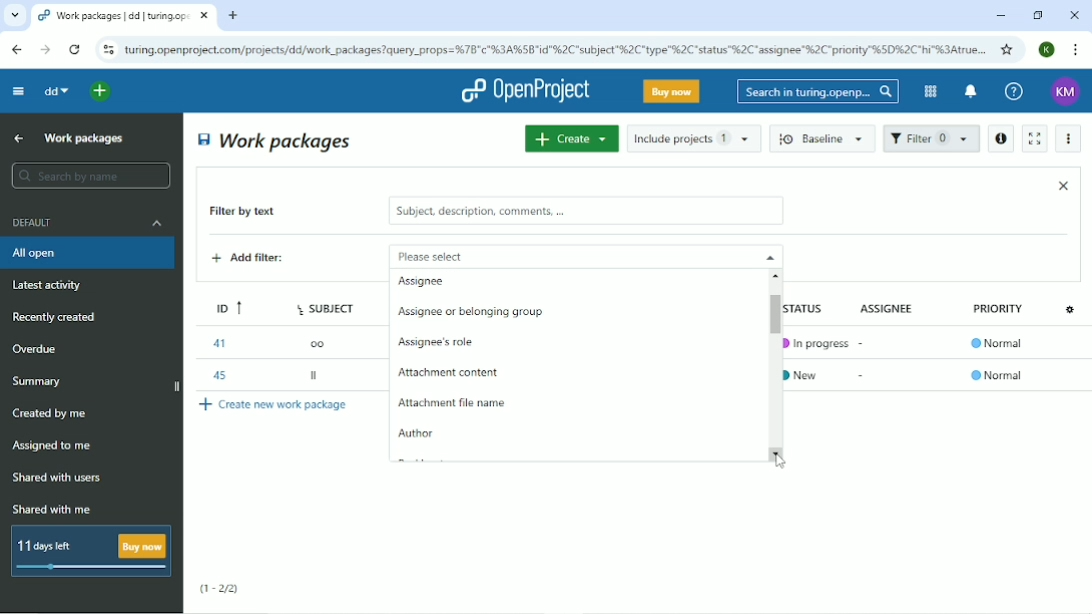 The width and height of the screenshot is (1092, 614). What do you see at coordinates (263, 260) in the screenshot?
I see `Add filter` at bounding box center [263, 260].